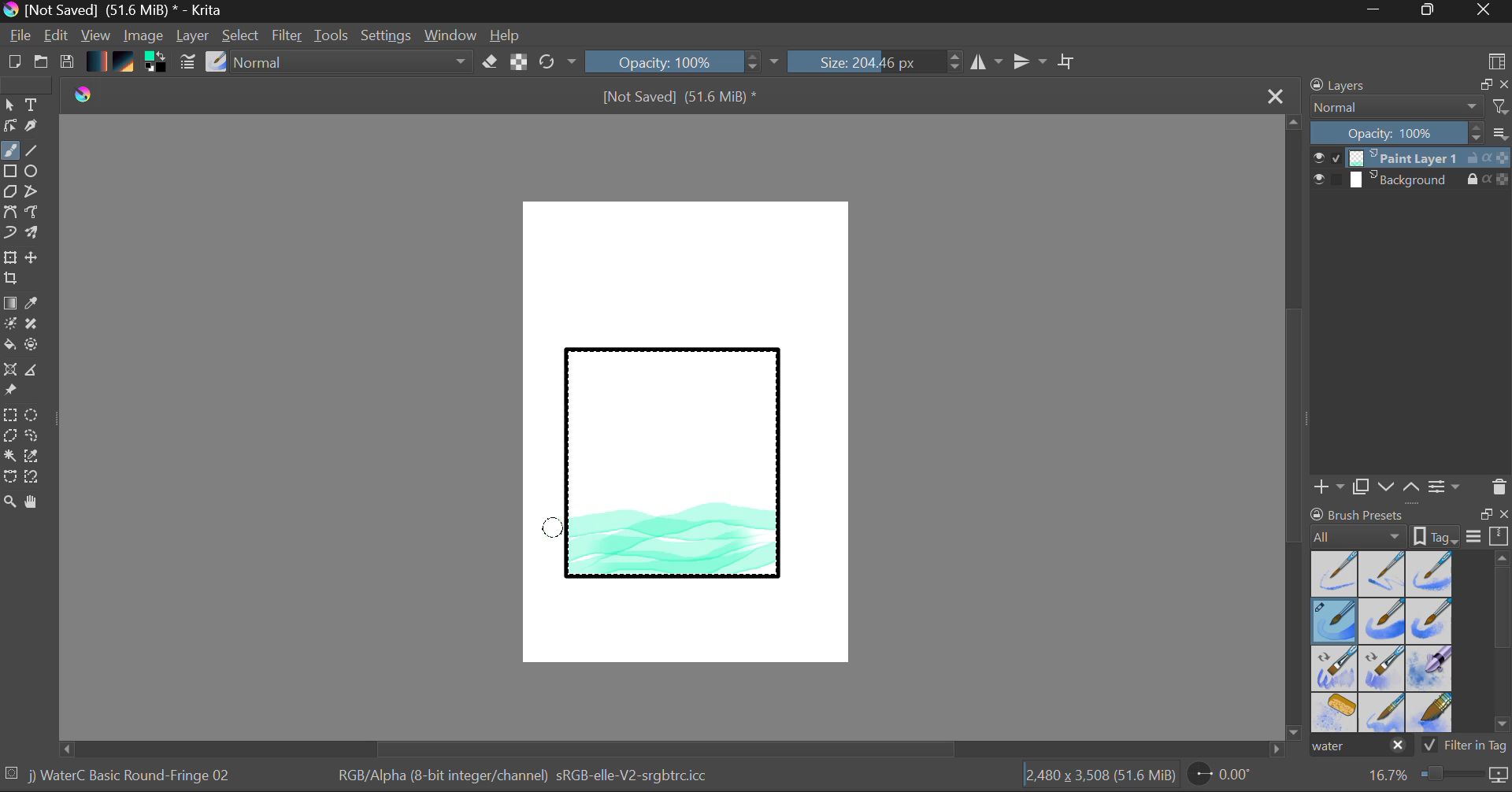 This screenshot has width=1512, height=792. I want to click on Edit, so click(57, 37).